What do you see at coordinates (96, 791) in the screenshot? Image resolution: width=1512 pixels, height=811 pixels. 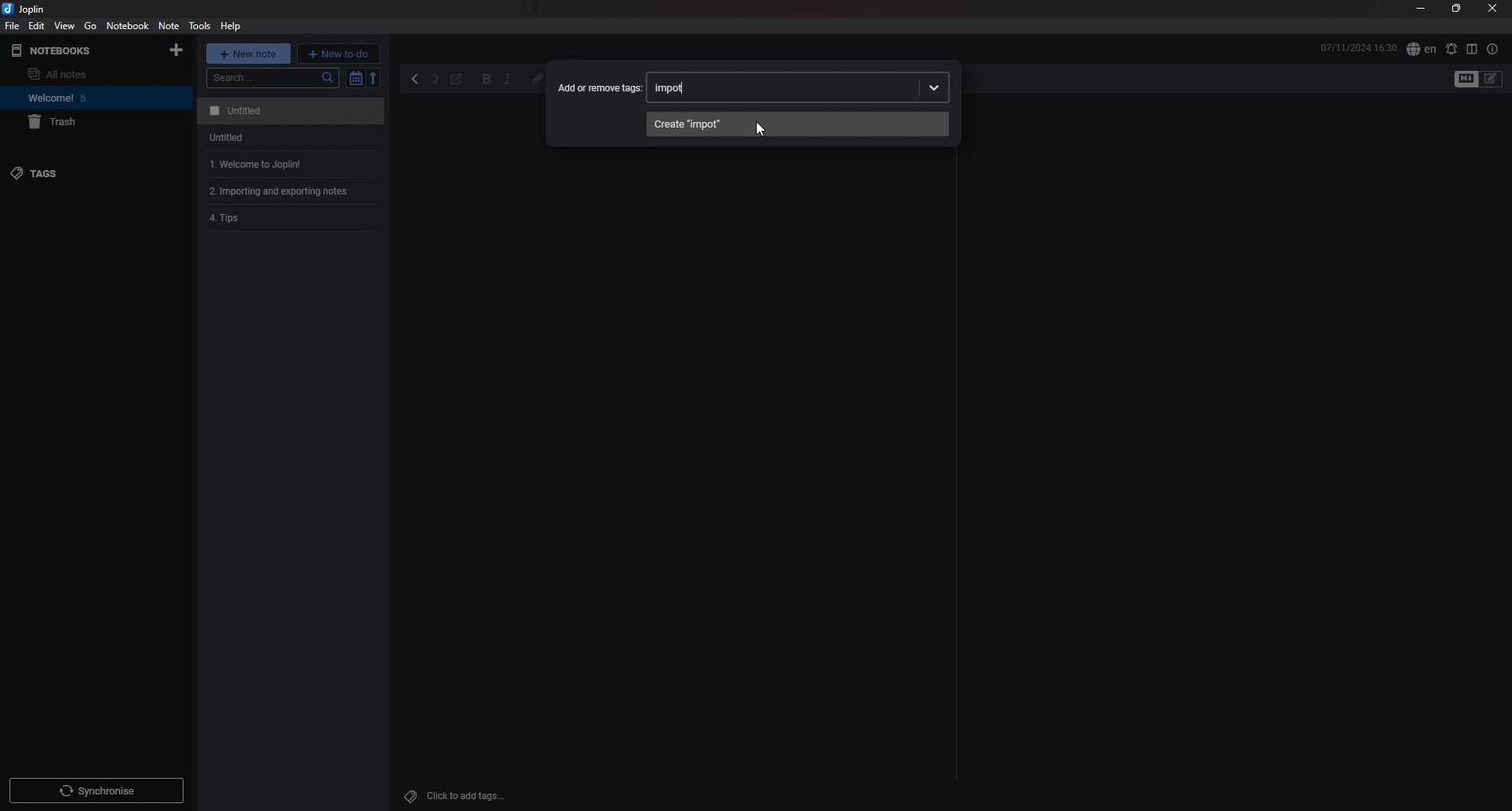 I see `sync` at bounding box center [96, 791].